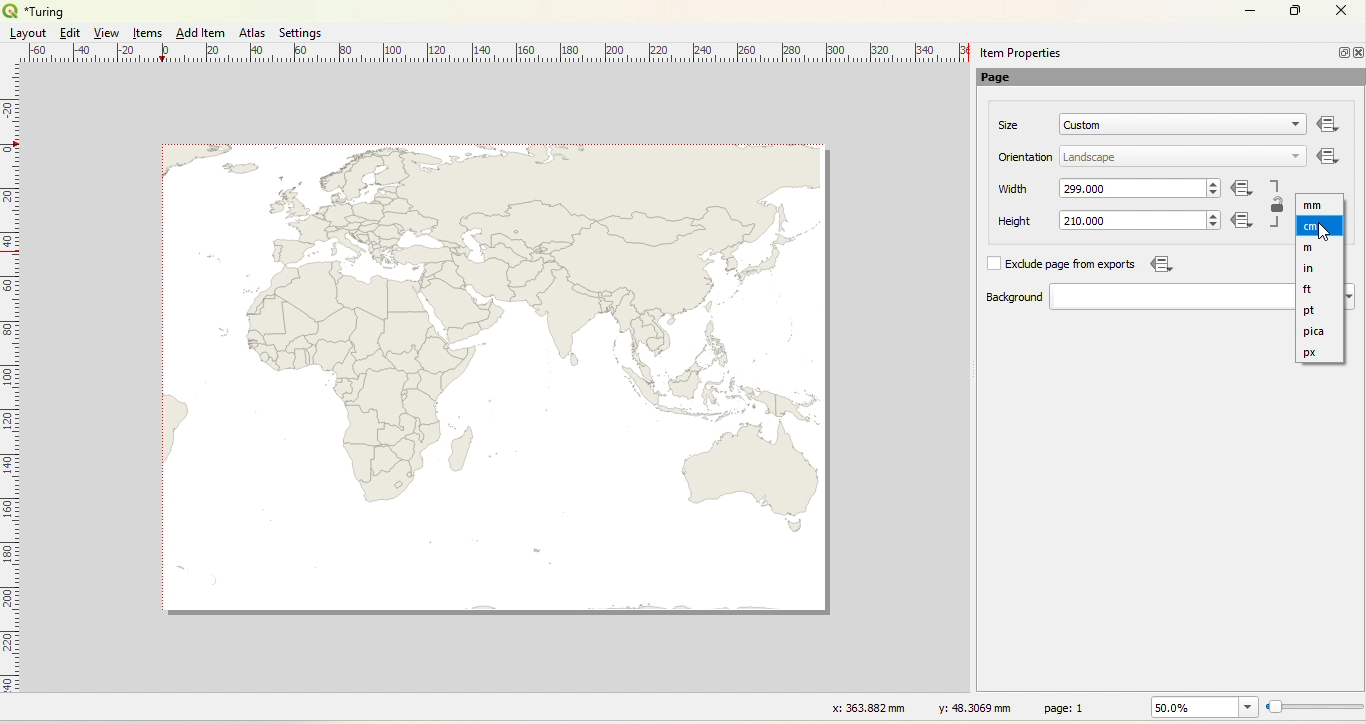 This screenshot has height=724, width=1366. What do you see at coordinates (108, 33) in the screenshot?
I see `View` at bounding box center [108, 33].